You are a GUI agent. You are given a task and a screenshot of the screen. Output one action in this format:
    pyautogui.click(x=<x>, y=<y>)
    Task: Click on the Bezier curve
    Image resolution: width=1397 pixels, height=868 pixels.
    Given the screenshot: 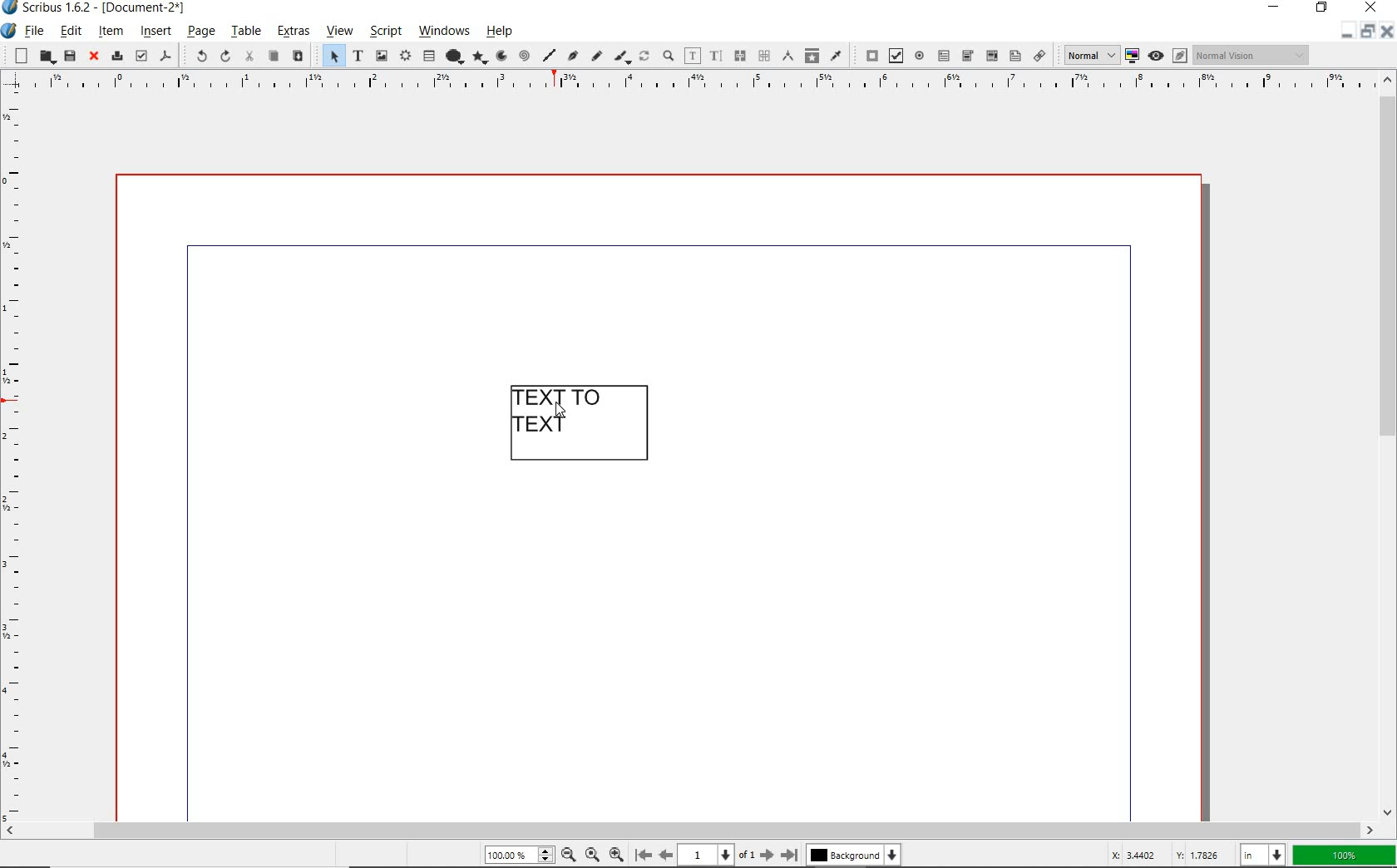 What is the action you would take?
    pyautogui.click(x=572, y=55)
    